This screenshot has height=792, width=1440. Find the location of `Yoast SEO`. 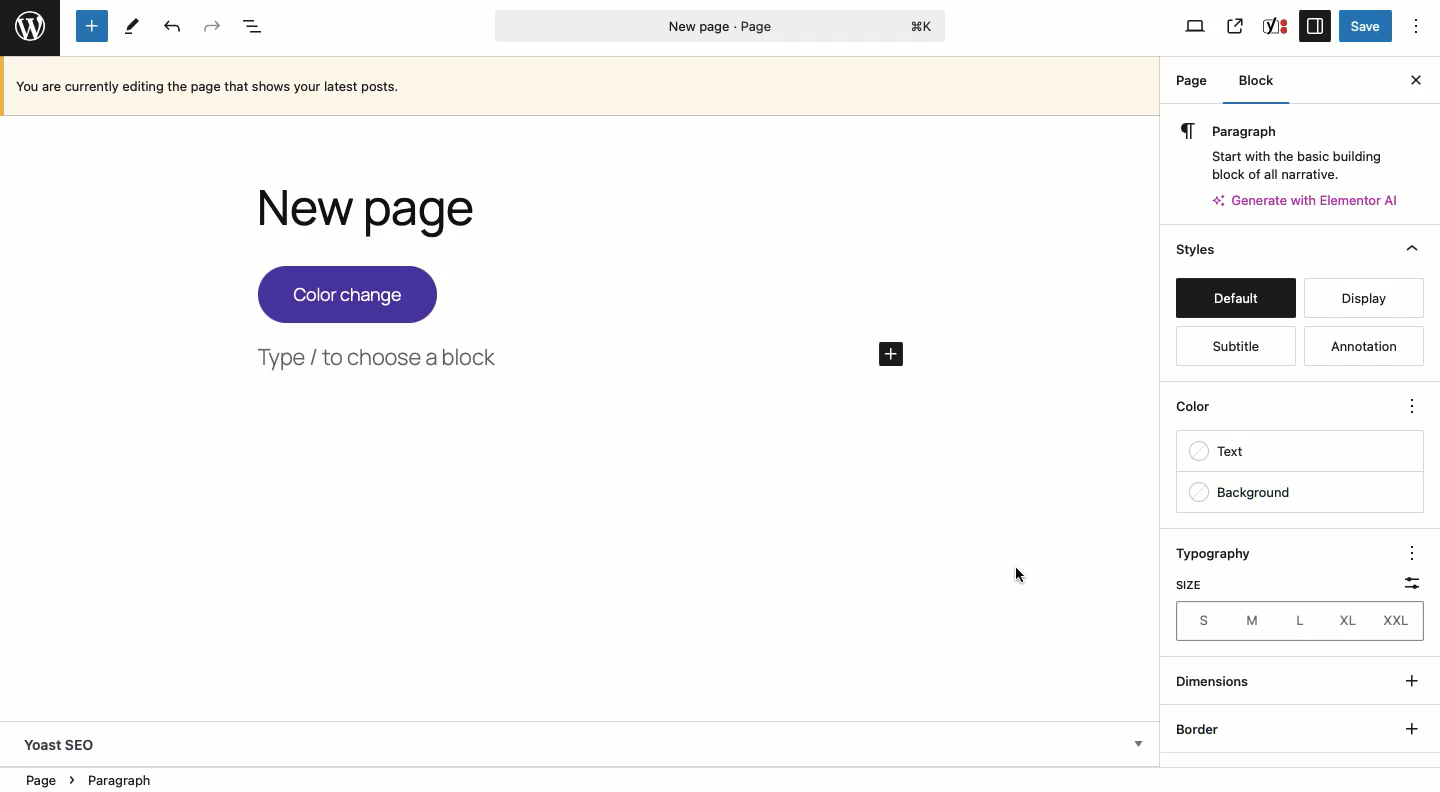

Yoast SEO is located at coordinates (581, 741).